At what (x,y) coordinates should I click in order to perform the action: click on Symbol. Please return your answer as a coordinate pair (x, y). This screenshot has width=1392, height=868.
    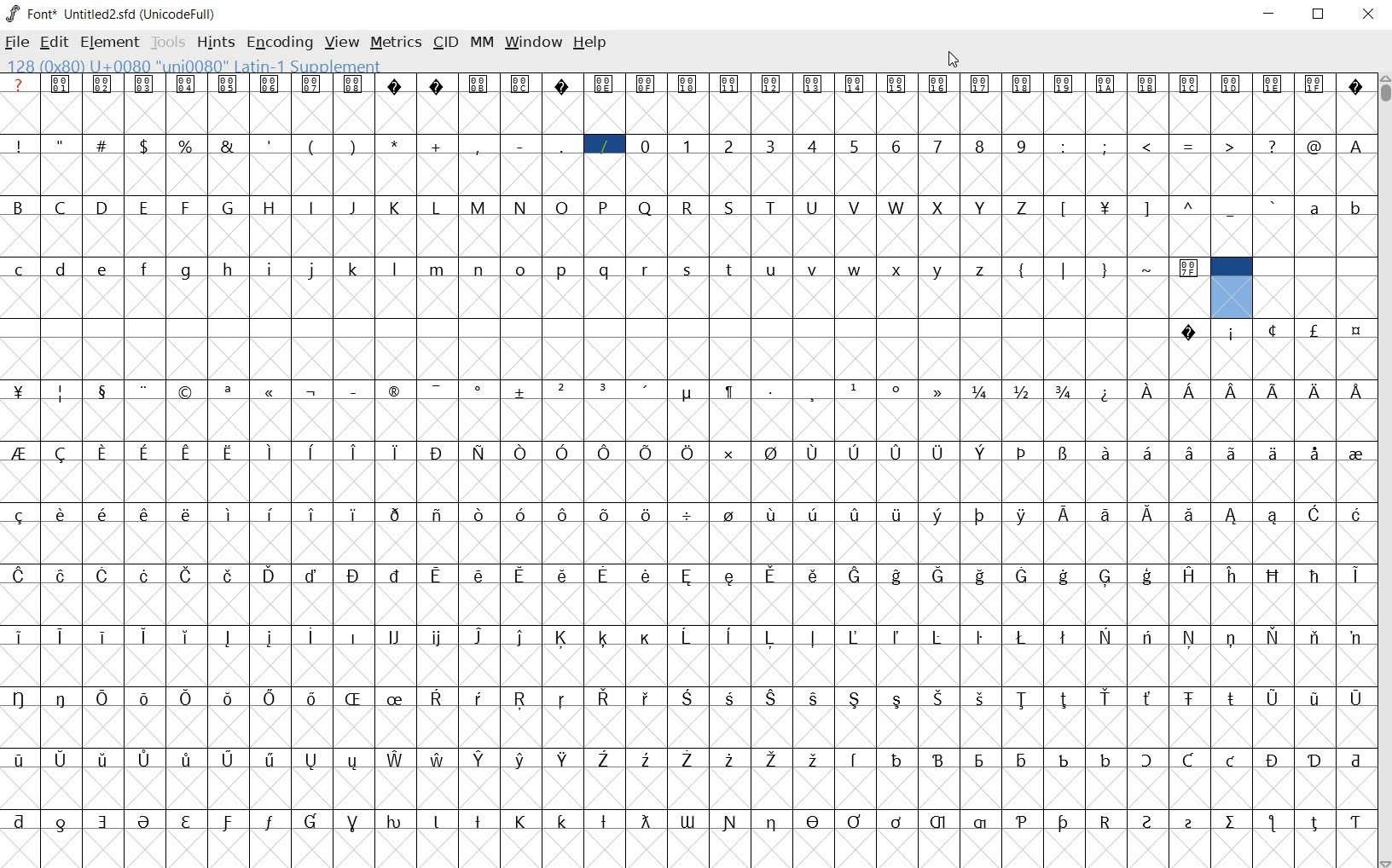
    Looking at the image, I should click on (1314, 83).